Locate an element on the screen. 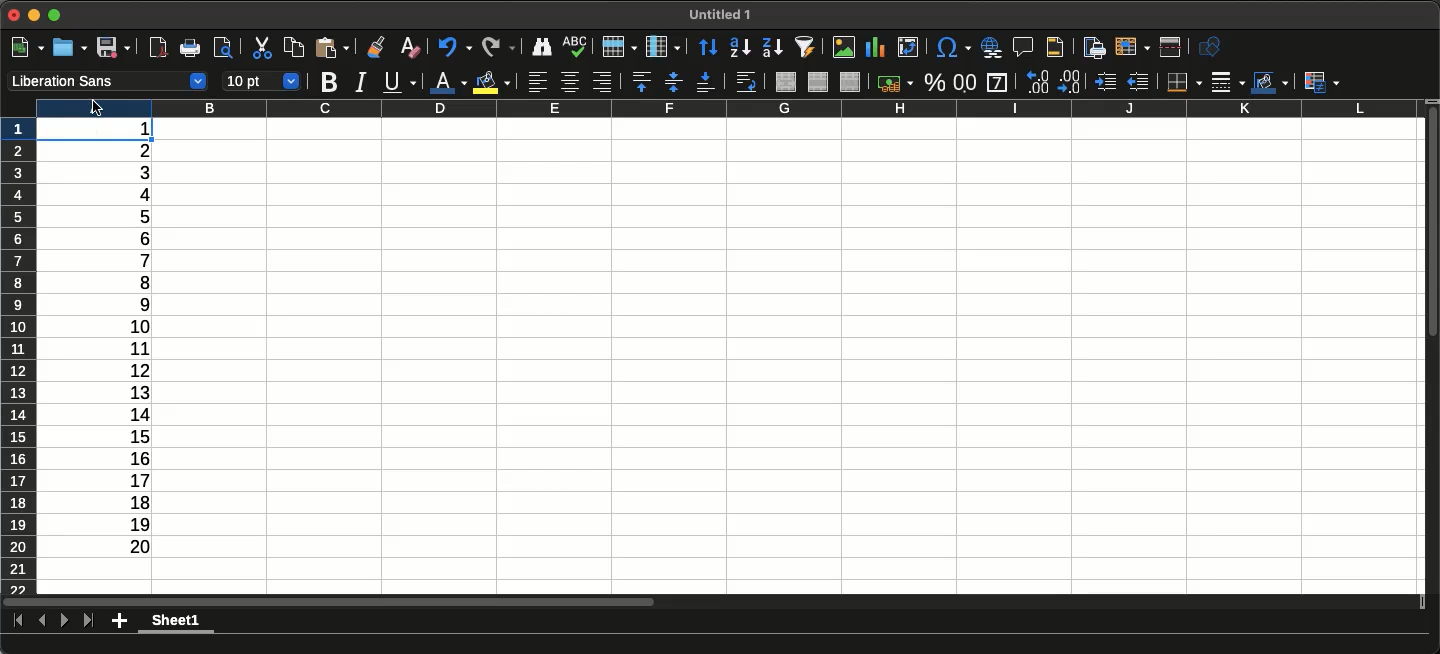  File name is located at coordinates (719, 14).